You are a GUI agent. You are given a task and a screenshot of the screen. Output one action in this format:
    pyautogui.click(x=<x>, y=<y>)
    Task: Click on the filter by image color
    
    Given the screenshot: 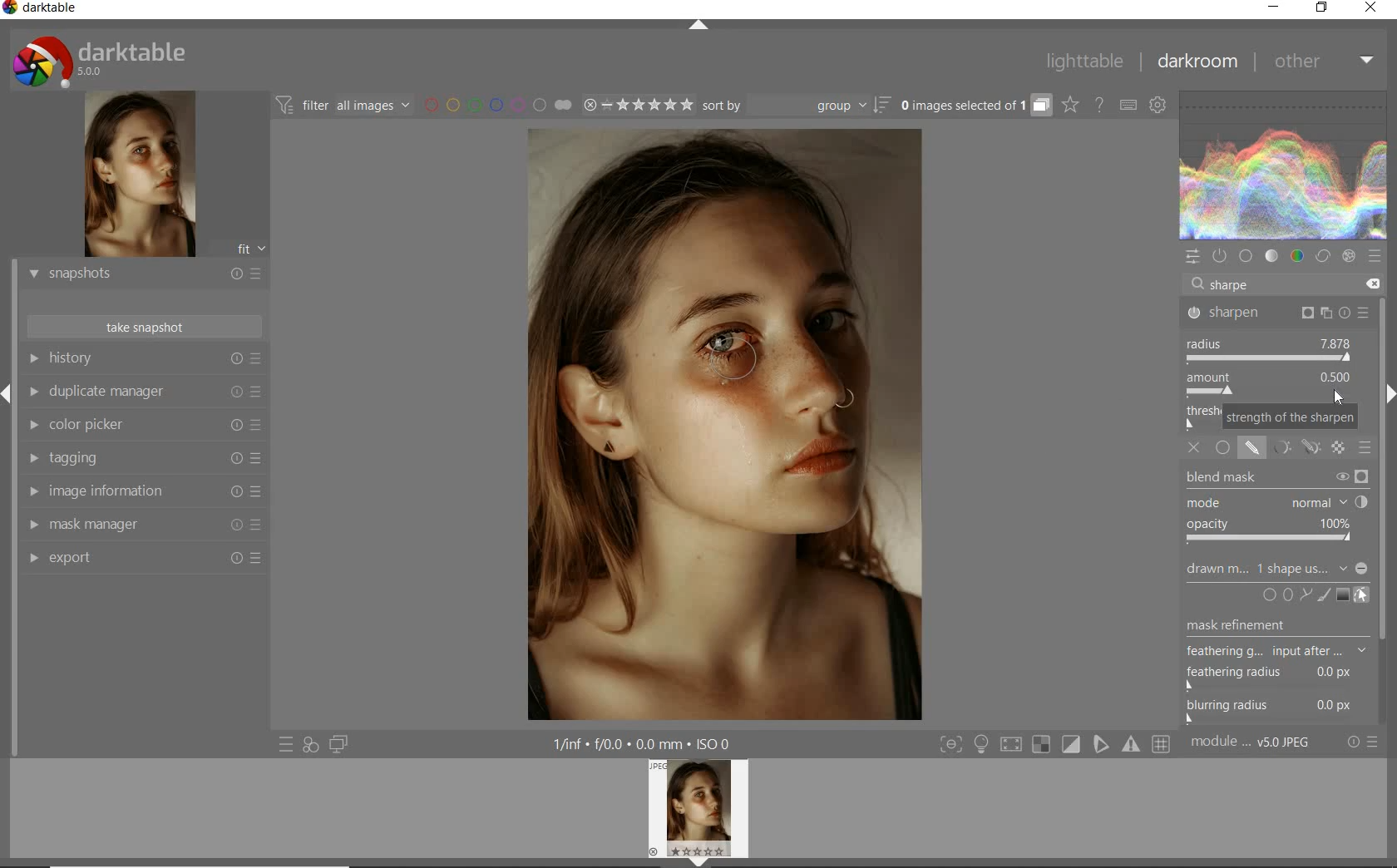 What is the action you would take?
    pyautogui.click(x=497, y=106)
    